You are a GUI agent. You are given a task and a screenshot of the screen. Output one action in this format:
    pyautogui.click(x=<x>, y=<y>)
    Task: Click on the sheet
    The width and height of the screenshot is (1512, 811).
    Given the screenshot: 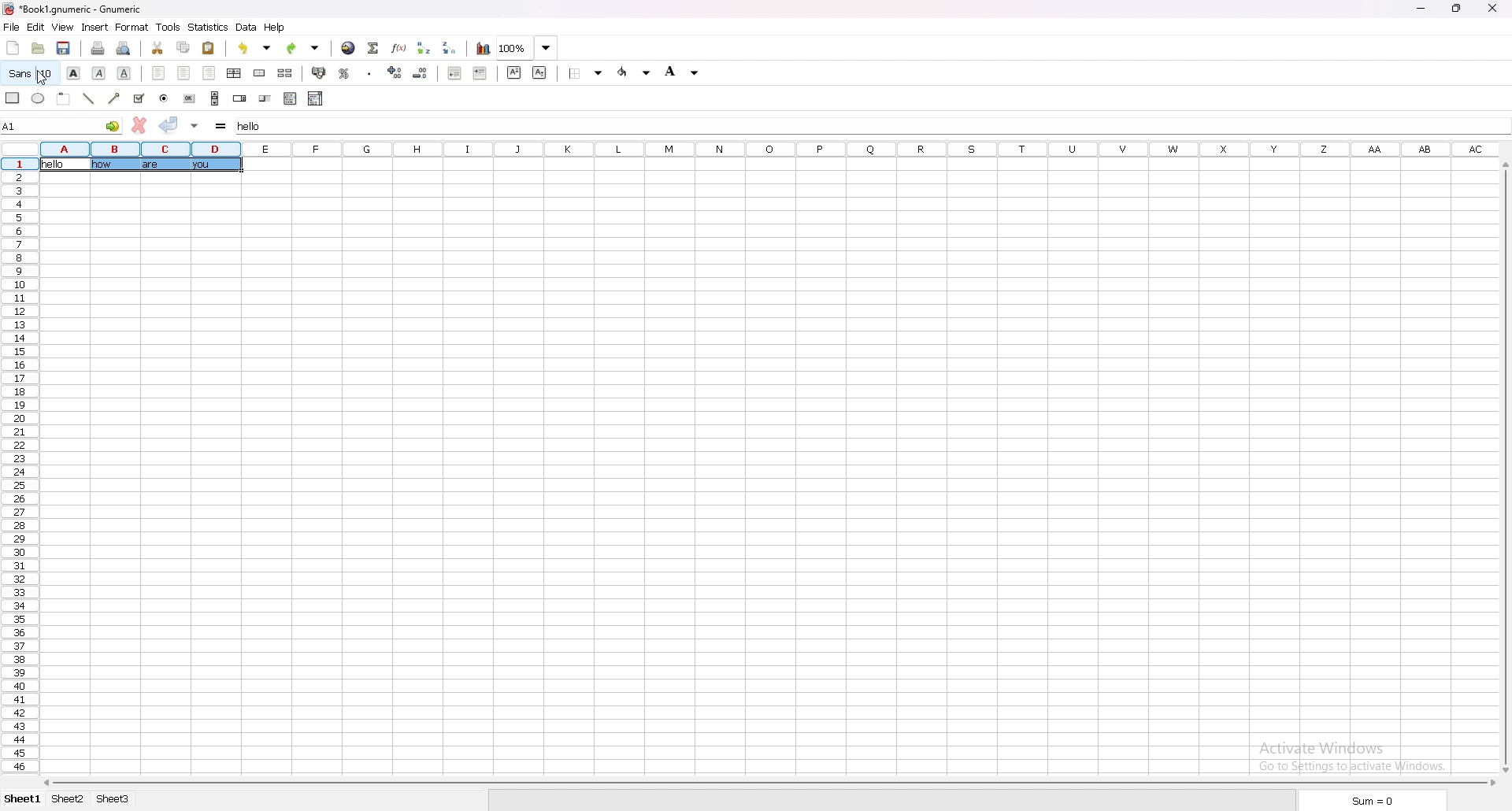 What is the action you would take?
    pyautogui.click(x=115, y=799)
    